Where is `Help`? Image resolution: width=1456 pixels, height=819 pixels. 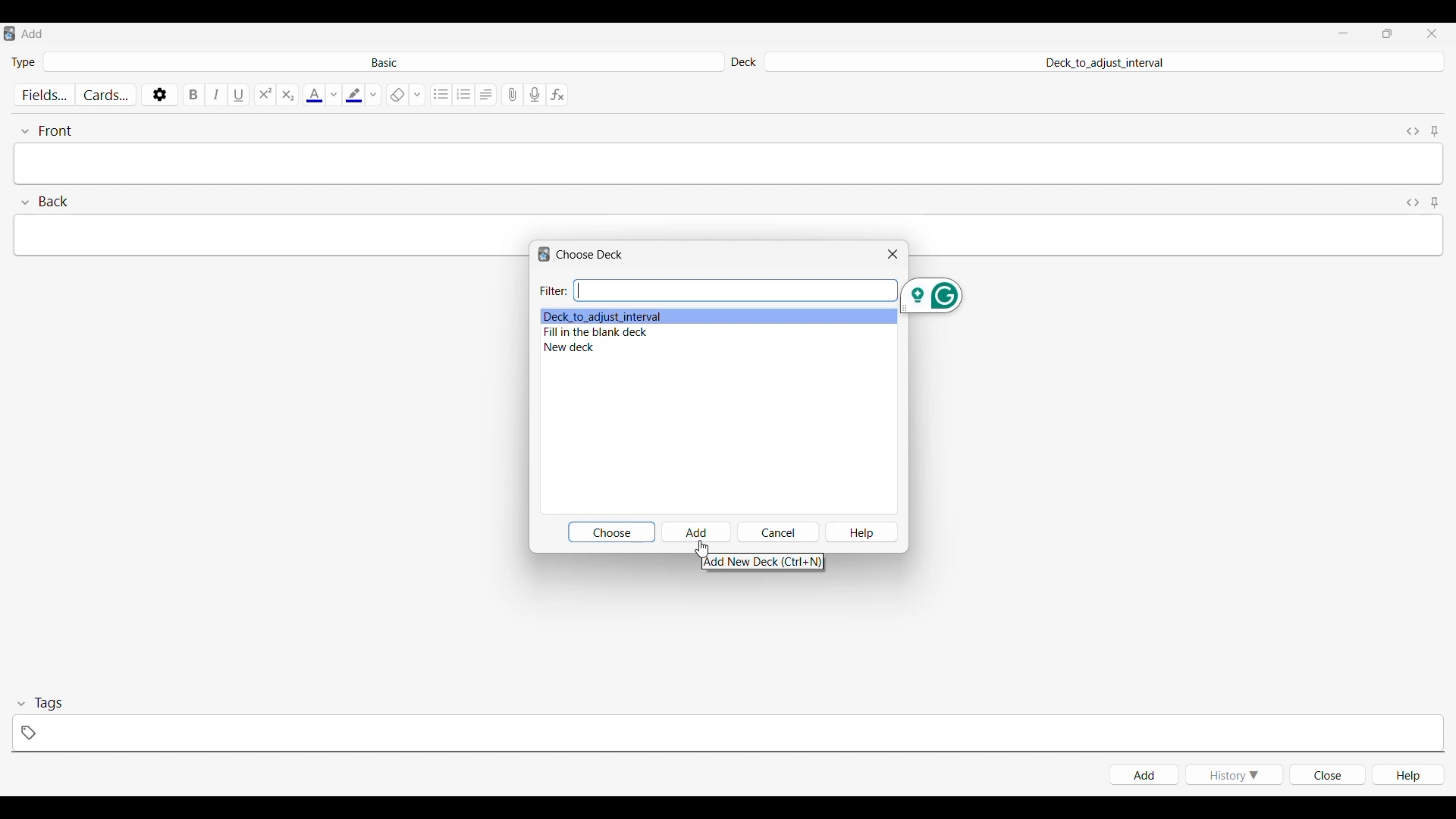 Help is located at coordinates (862, 532).